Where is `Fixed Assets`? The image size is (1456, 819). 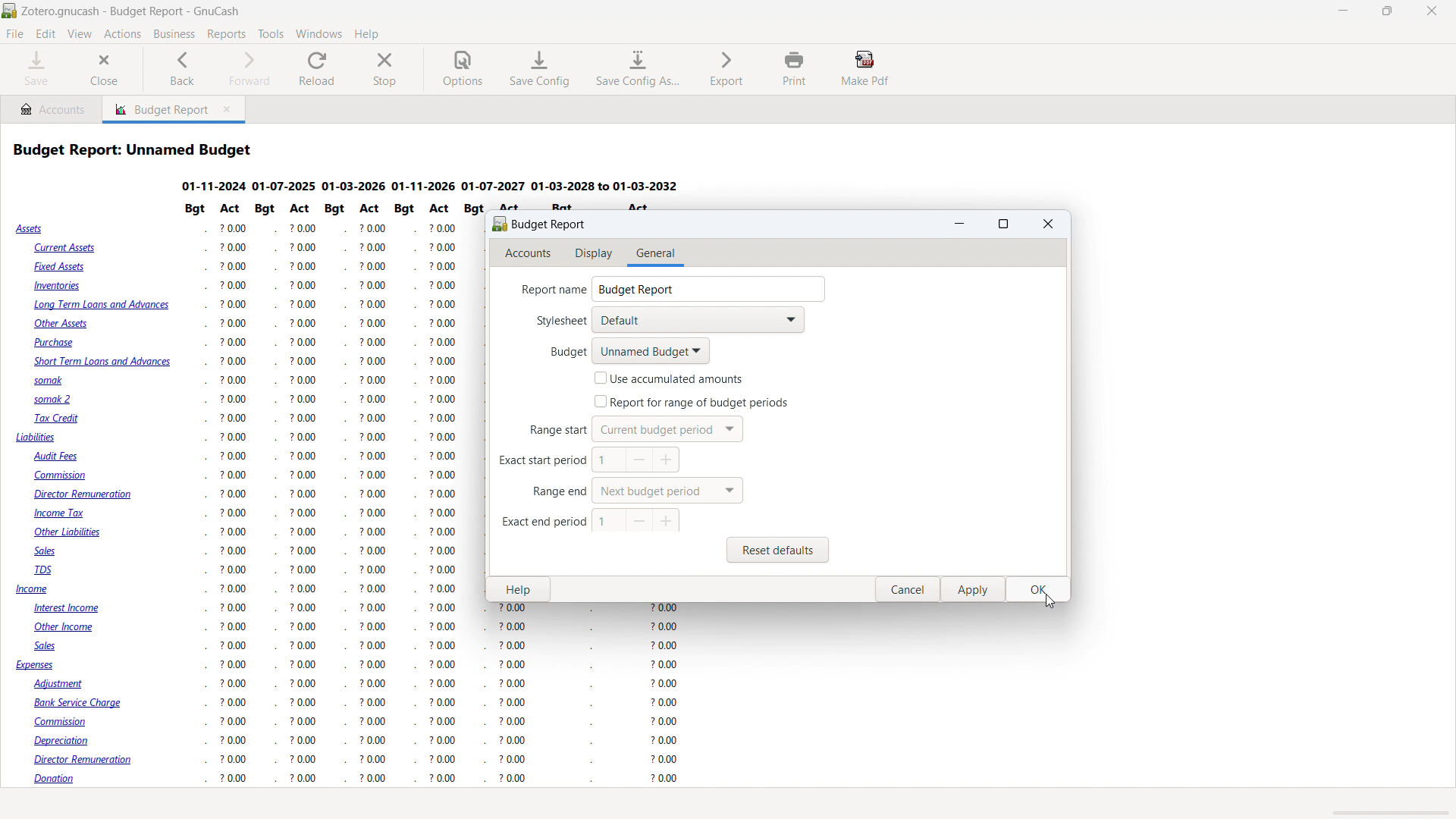 Fixed Assets is located at coordinates (61, 266).